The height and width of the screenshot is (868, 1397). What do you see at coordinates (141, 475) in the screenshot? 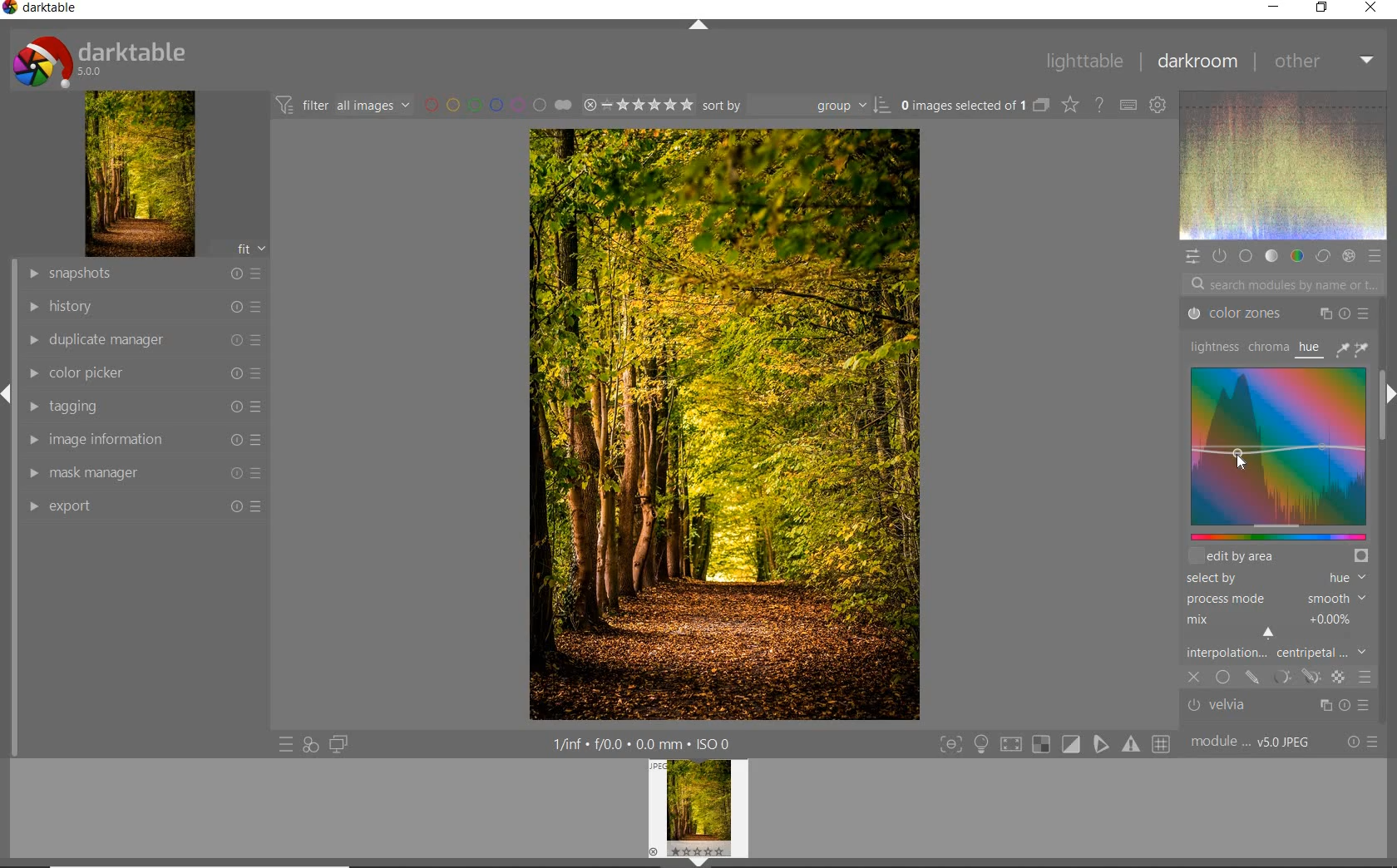
I see `MASK MANAGER` at bounding box center [141, 475].